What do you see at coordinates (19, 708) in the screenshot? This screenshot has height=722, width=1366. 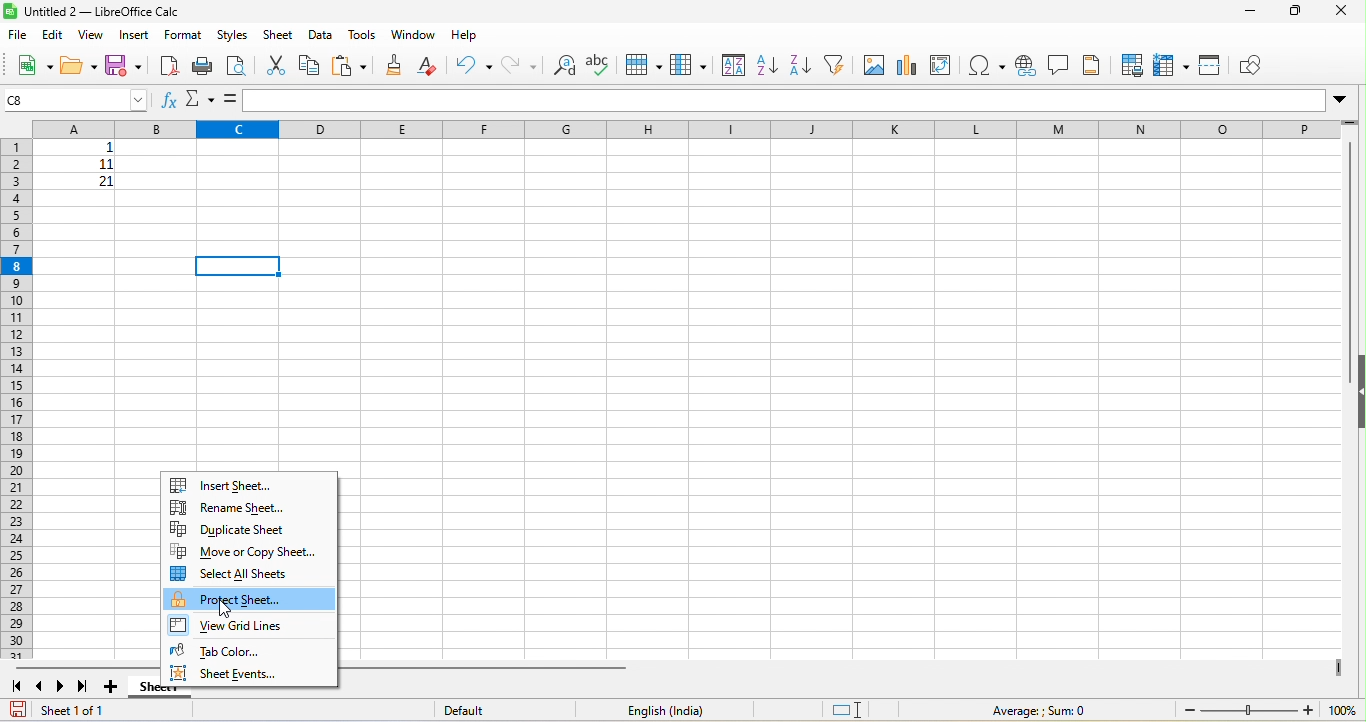 I see `save` at bounding box center [19, 708].